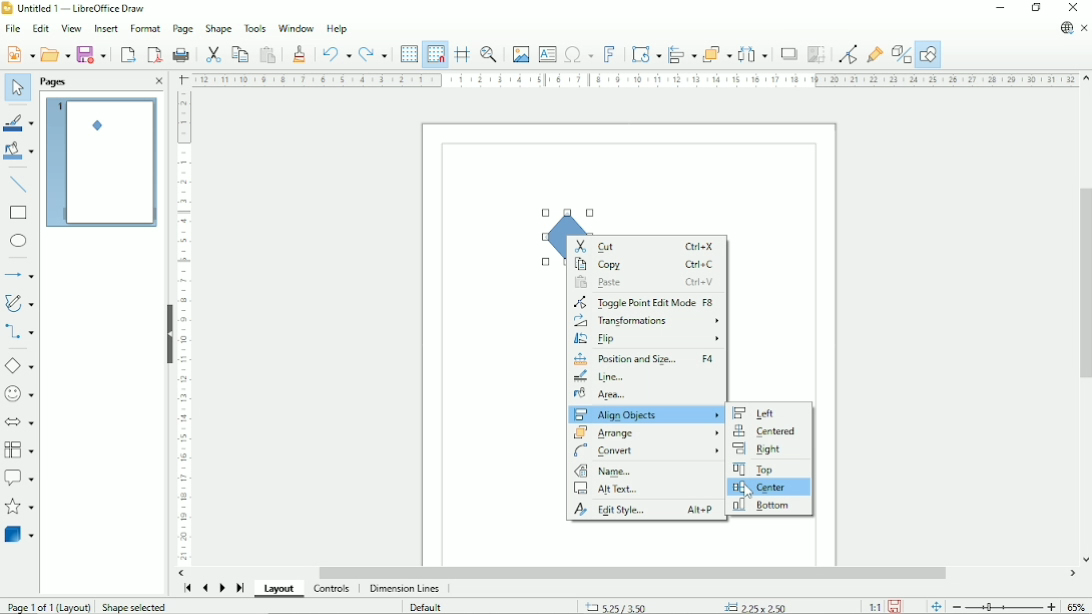 The width and height of the screenshot is (1092, 614). I want to click on Toggle point edit mode, so click(848, 54).